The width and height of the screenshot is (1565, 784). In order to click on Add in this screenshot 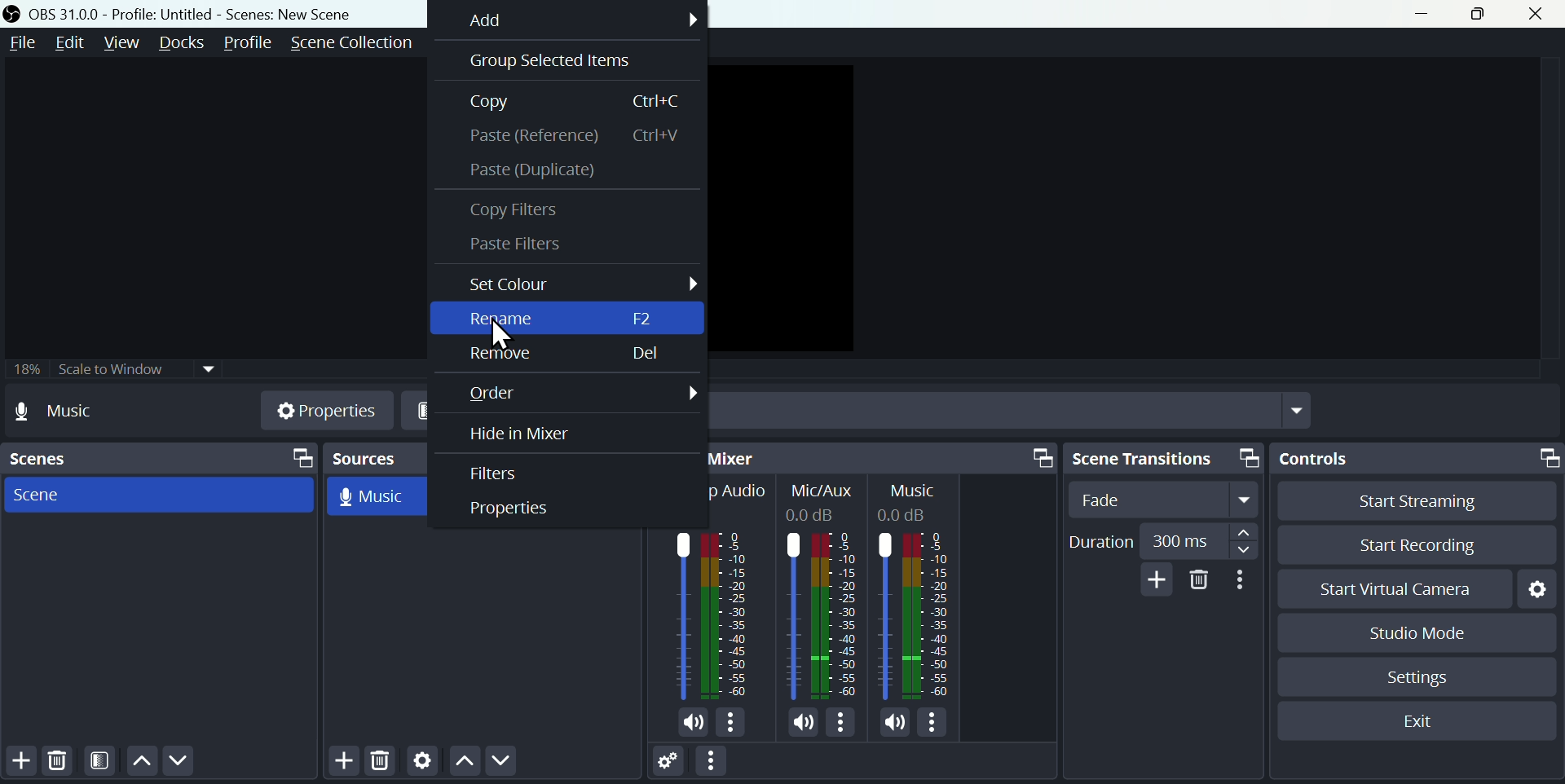, I will do `click(558, 20)`.